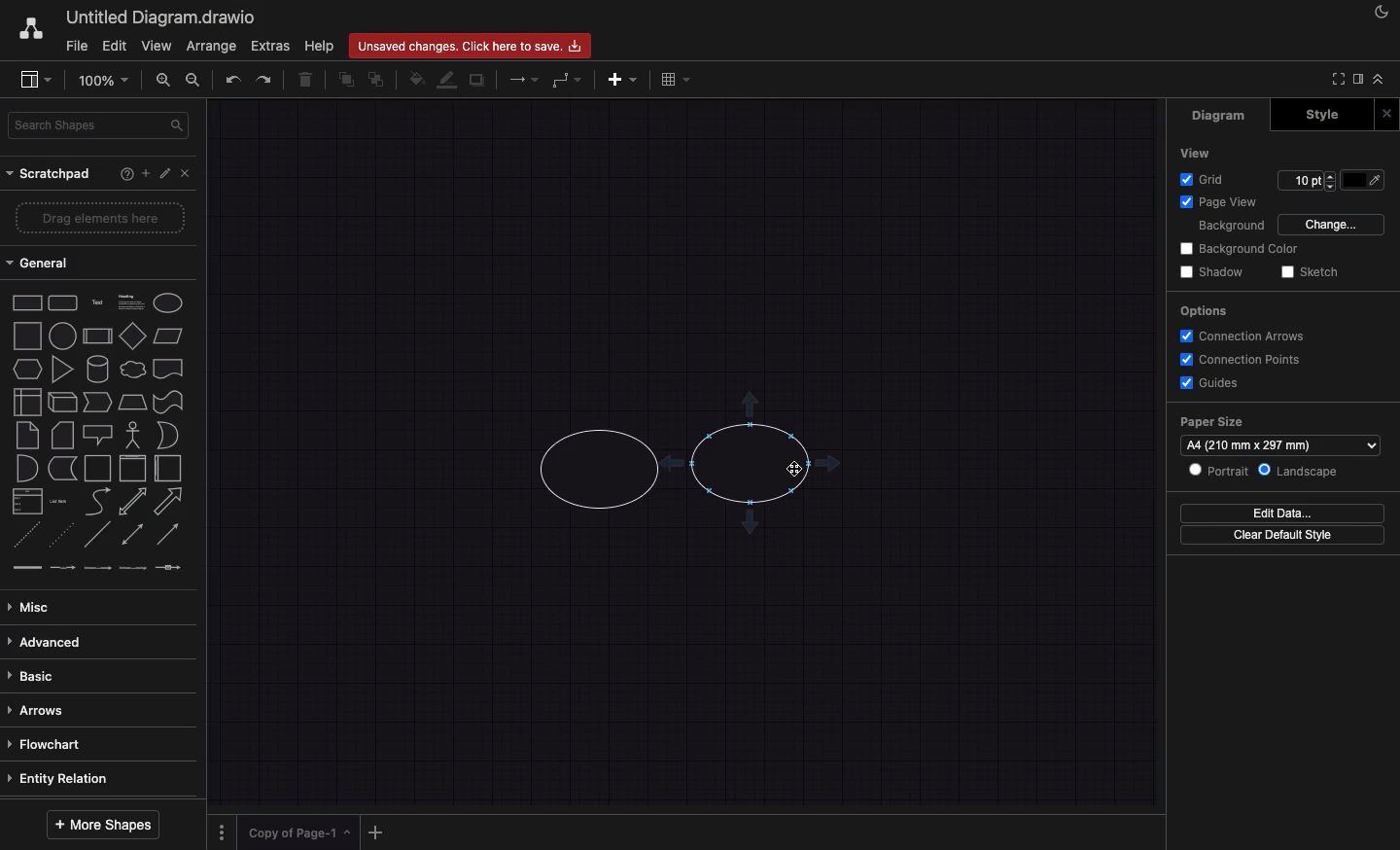  What do you see at coordinates (1207, 384) in the screenshot?
I see `guides` at bounding box center [1207, 384].